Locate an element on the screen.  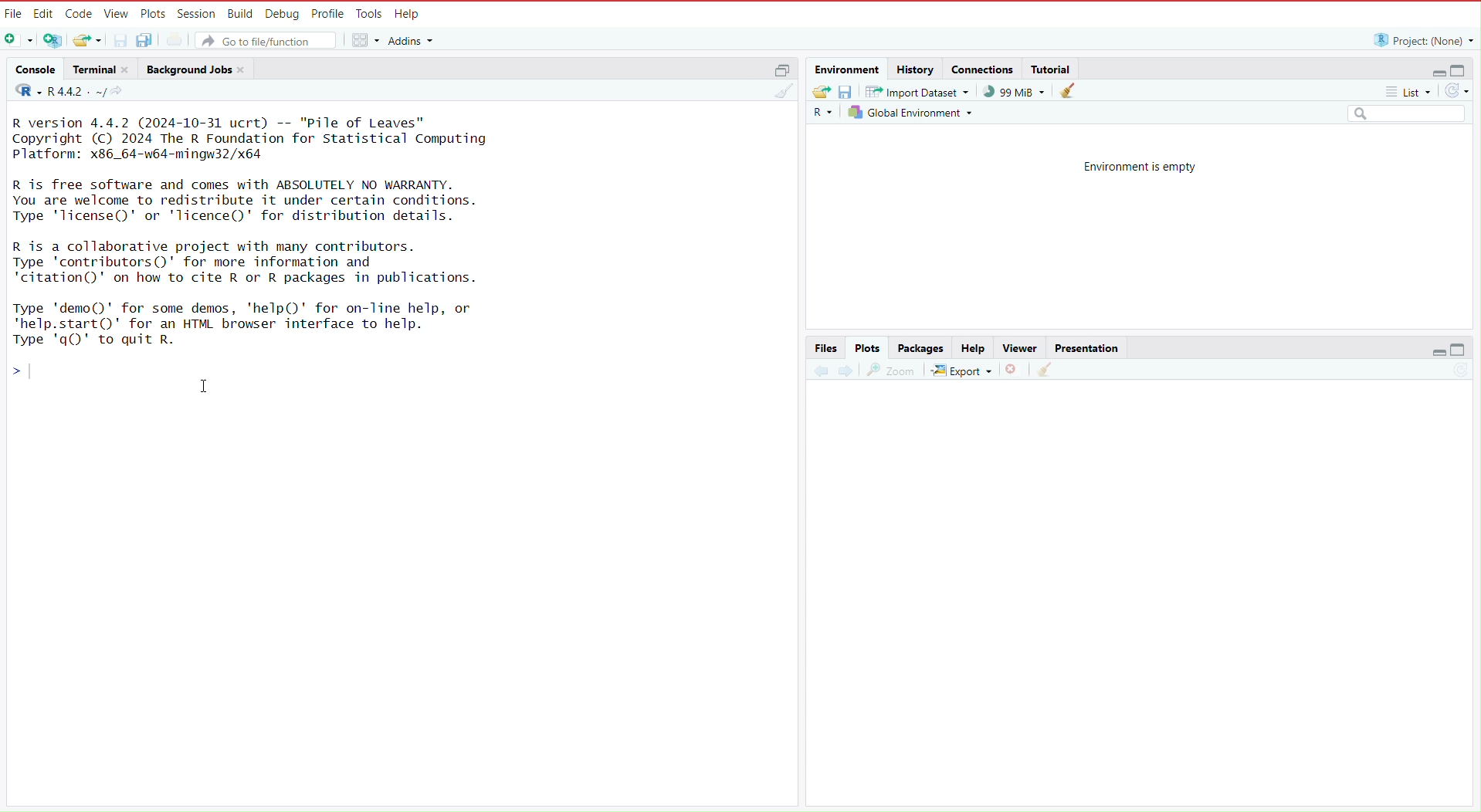
code is located at coordinates (80, 12).